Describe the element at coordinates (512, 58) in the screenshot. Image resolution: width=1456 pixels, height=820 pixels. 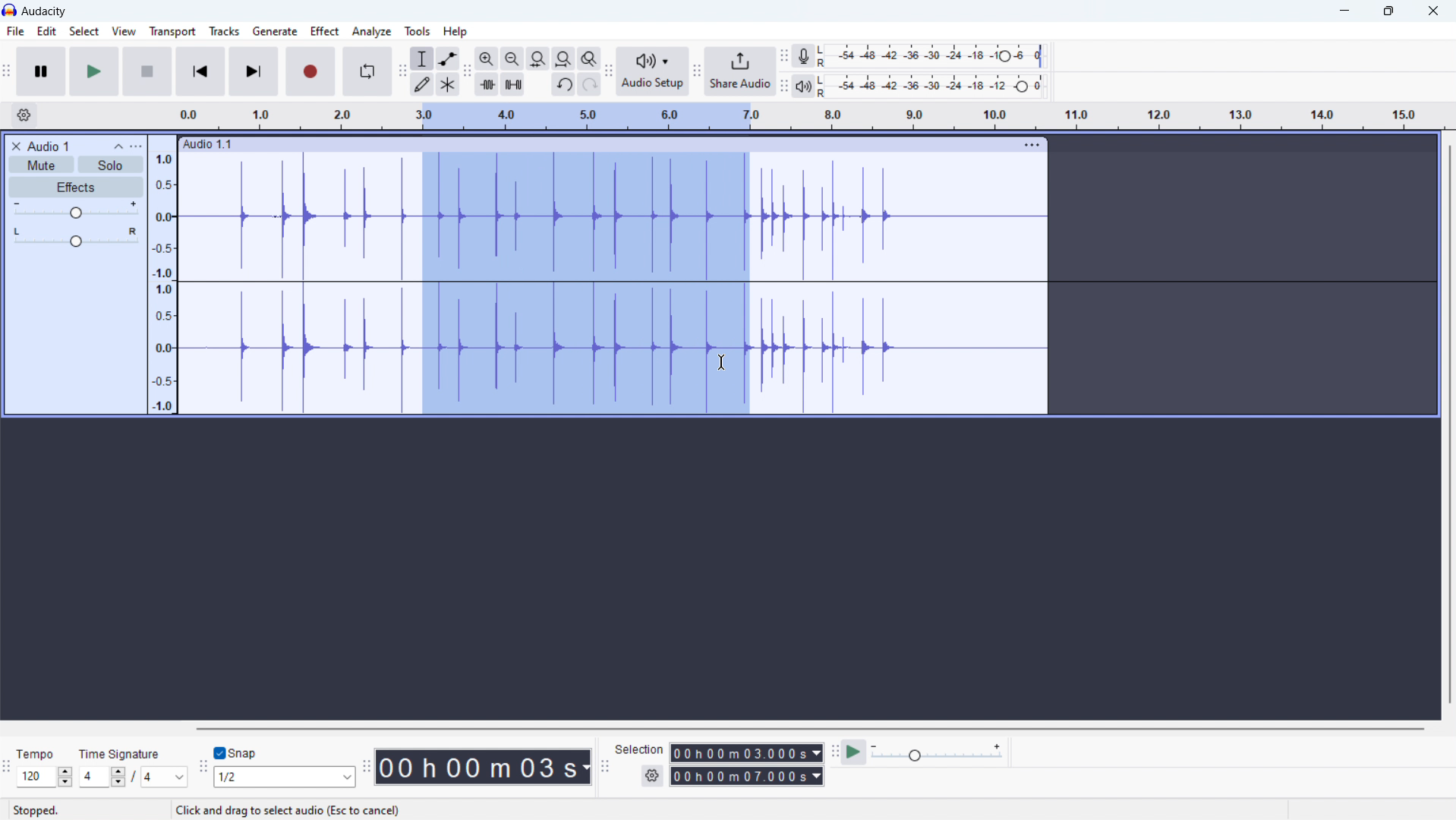
I see `zoom out` at that location.